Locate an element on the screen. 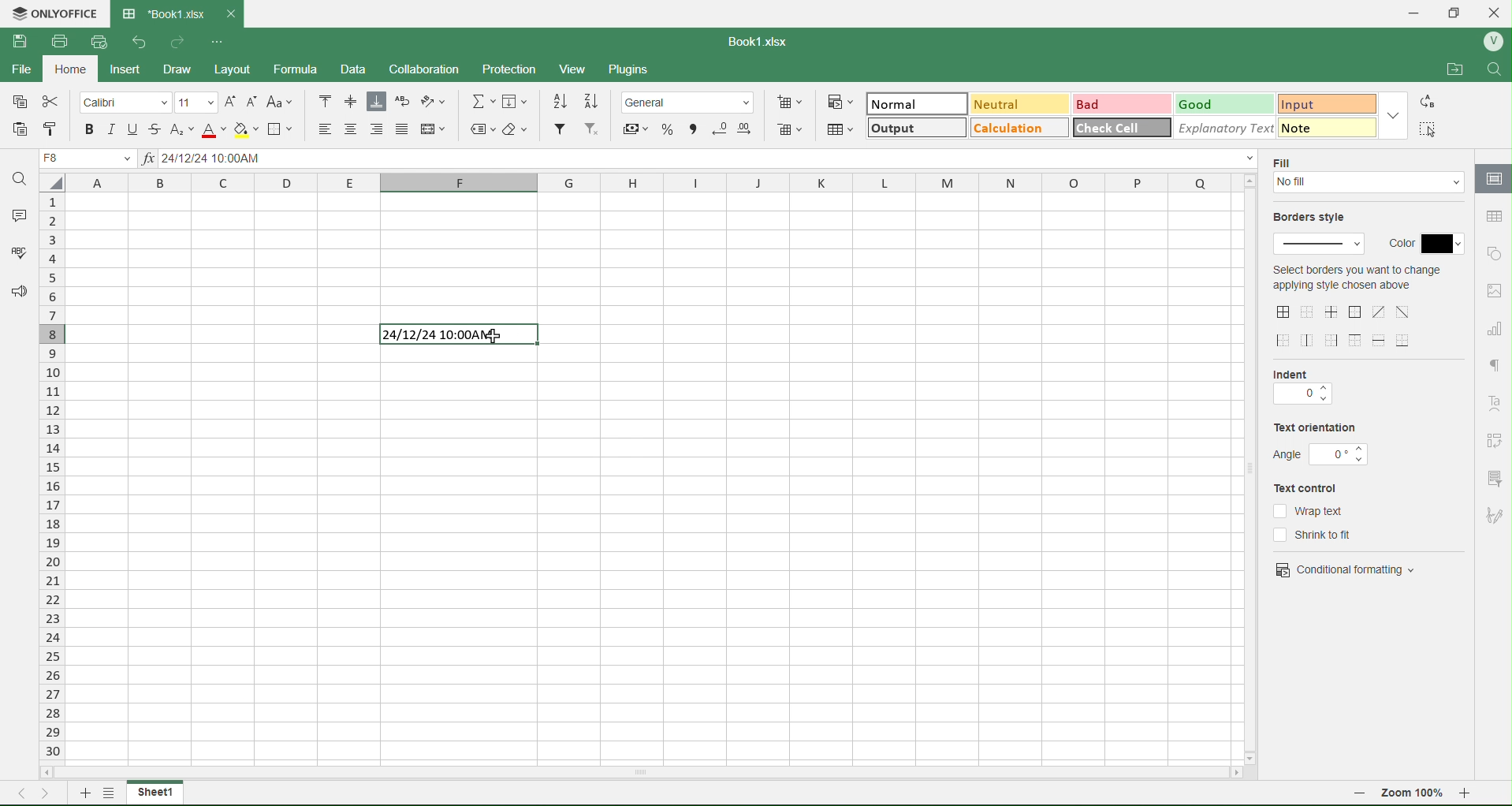 This screenshot has width=1512, height=806. Justified is located at coordinates (403, 129).